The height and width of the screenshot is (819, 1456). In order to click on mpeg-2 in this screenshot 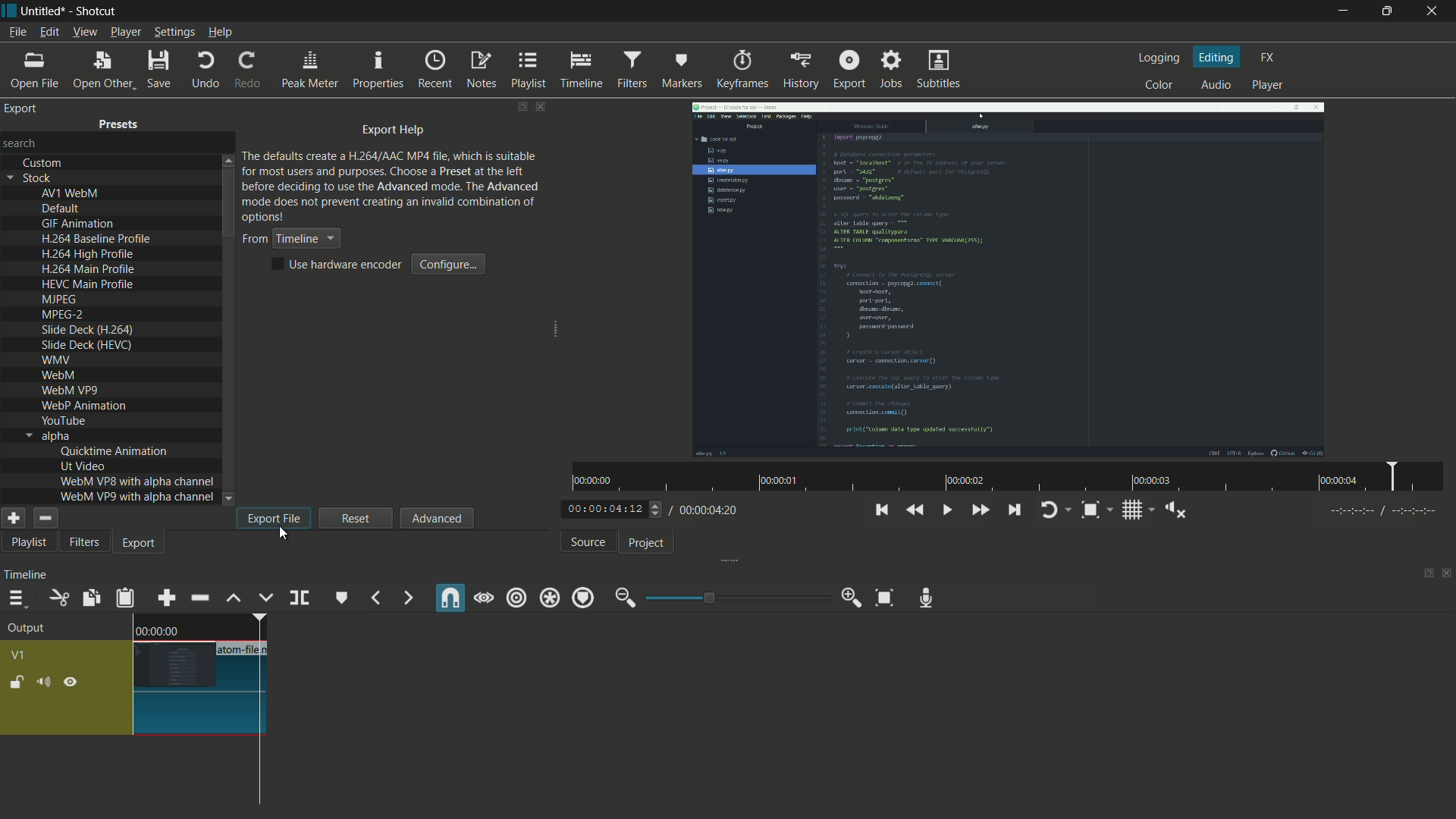, I will do `click(61, 315)`.